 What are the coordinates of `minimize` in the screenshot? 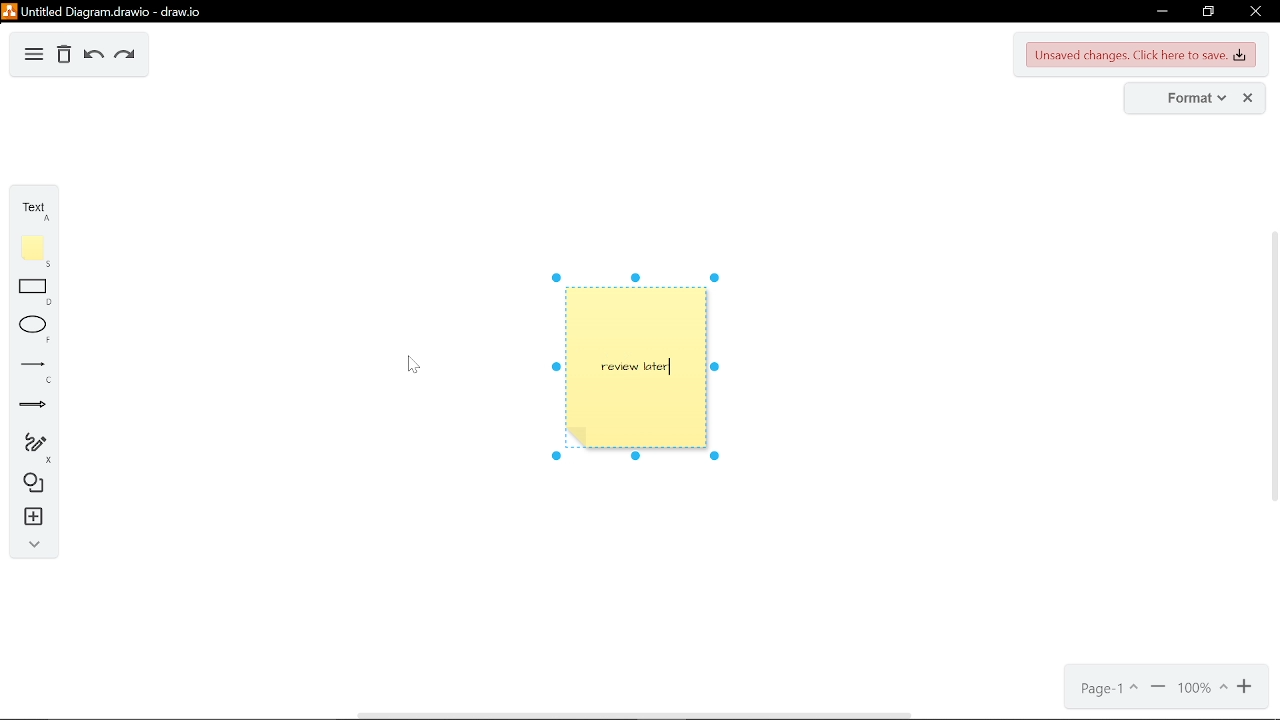 It's located at (1158, 12).